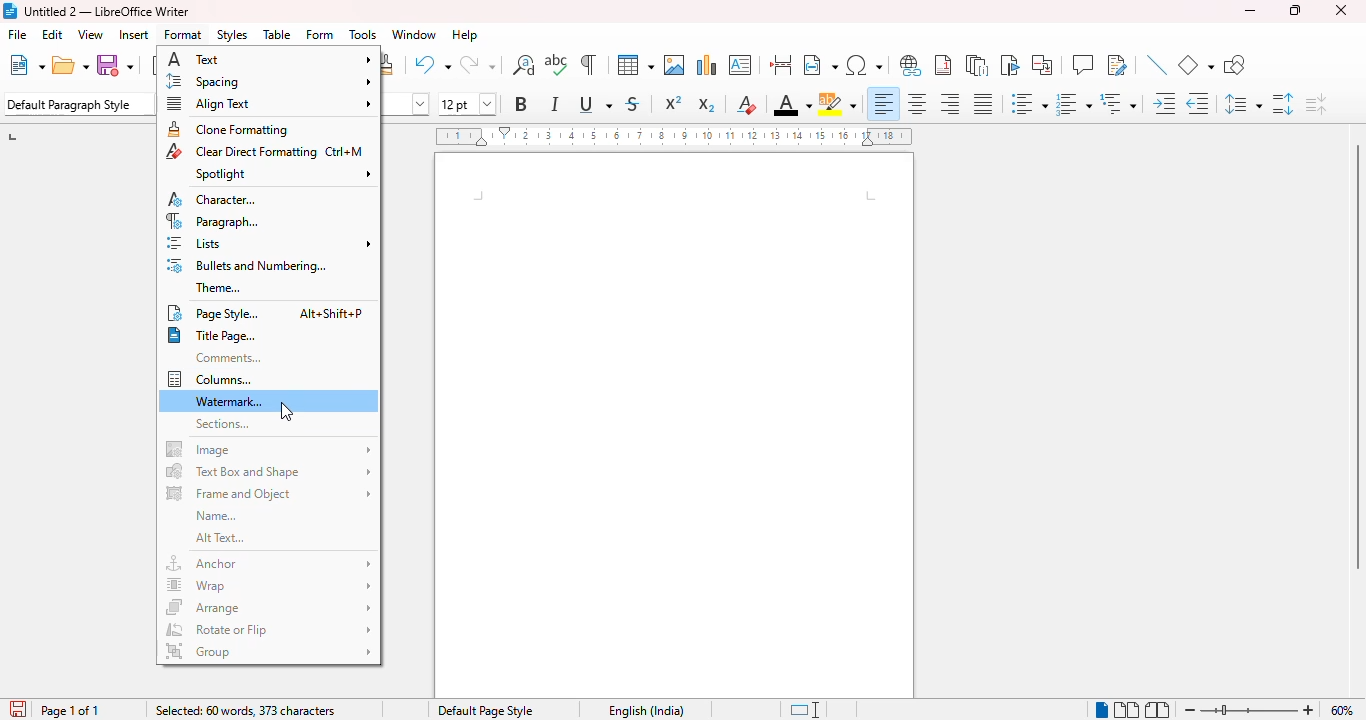 The width and height of the screenshot is (1366, 720). Describe the element at coordinates (1342, 710) in the screenshot. I see `zoom factor` at that location.